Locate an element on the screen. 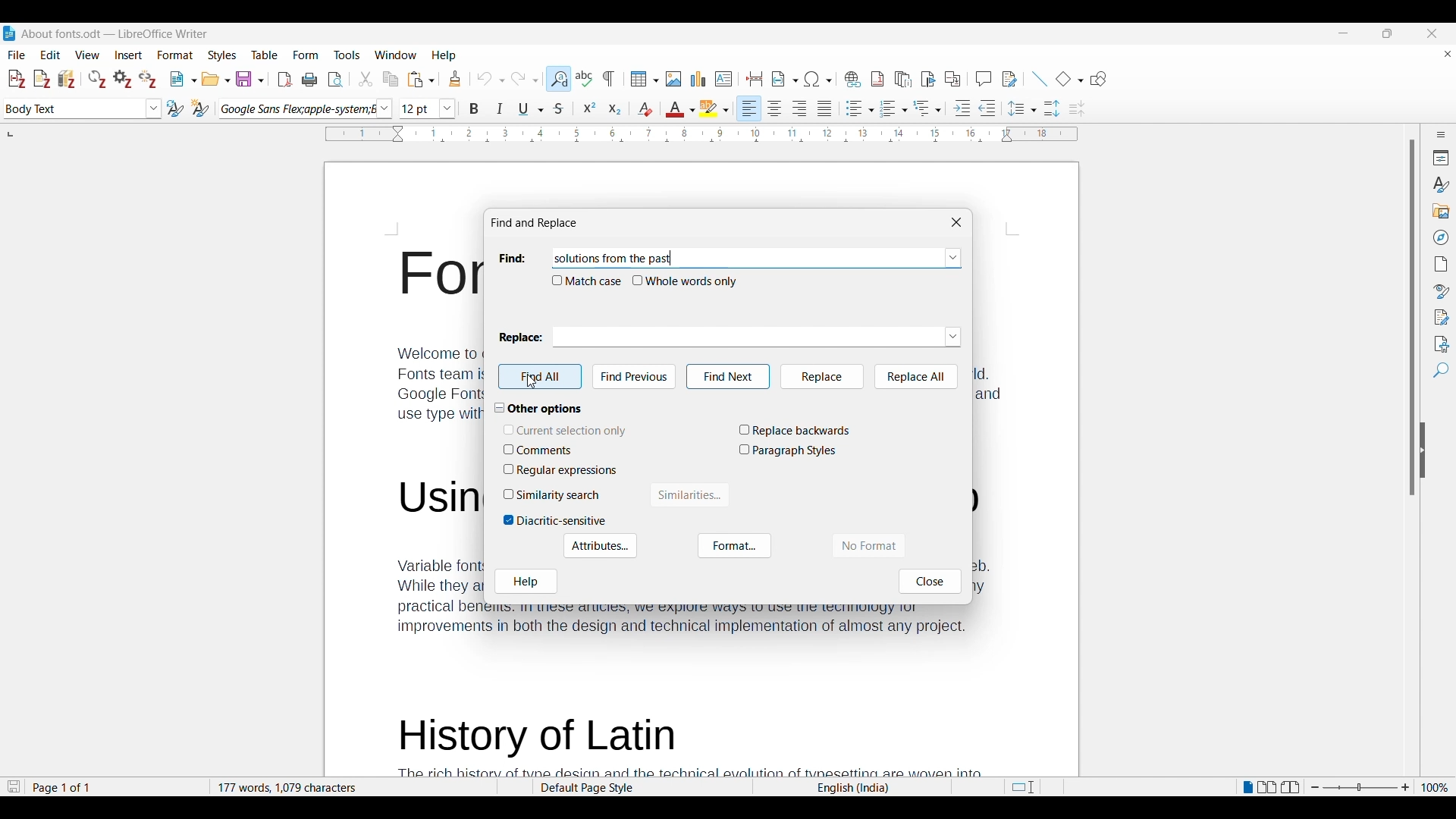 The width and height of the screenshot is (1456, 819). Single page view is located at coordinates (1247, 788).